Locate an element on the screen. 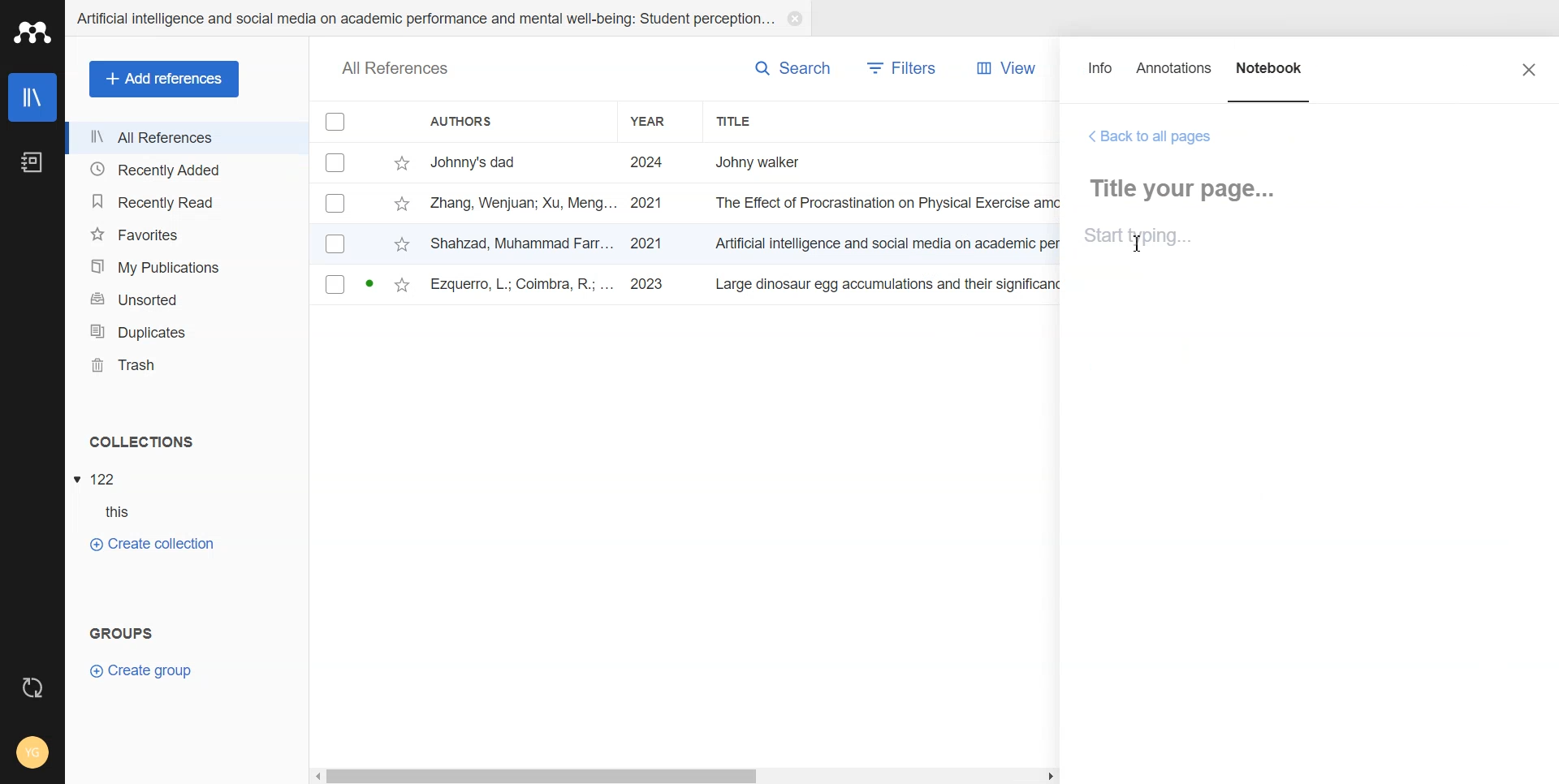 This screenshot has height=784, width=1559. Text cursor is located at coordinates (1138, 243).